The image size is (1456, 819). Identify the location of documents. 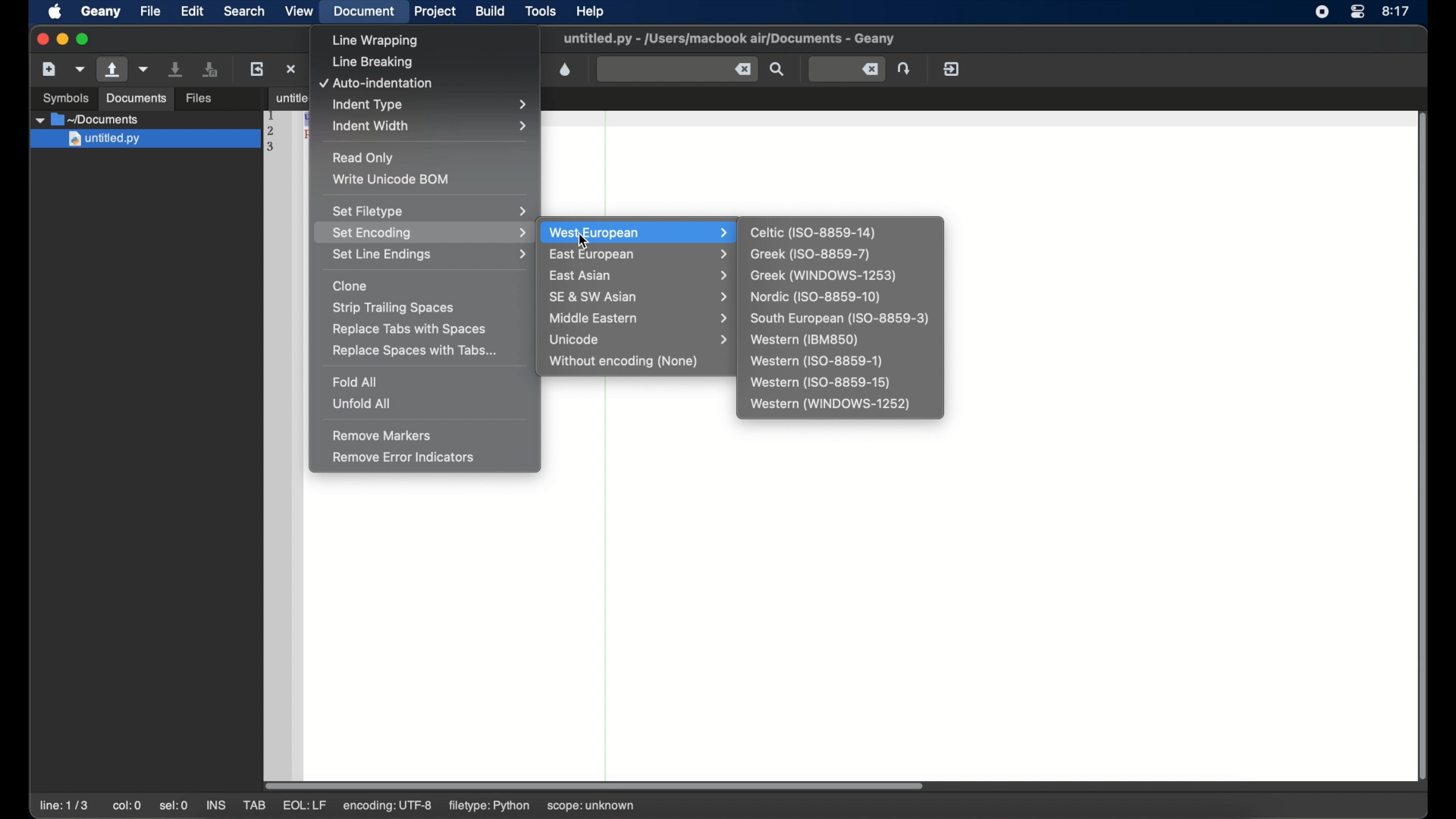
(136, 99).